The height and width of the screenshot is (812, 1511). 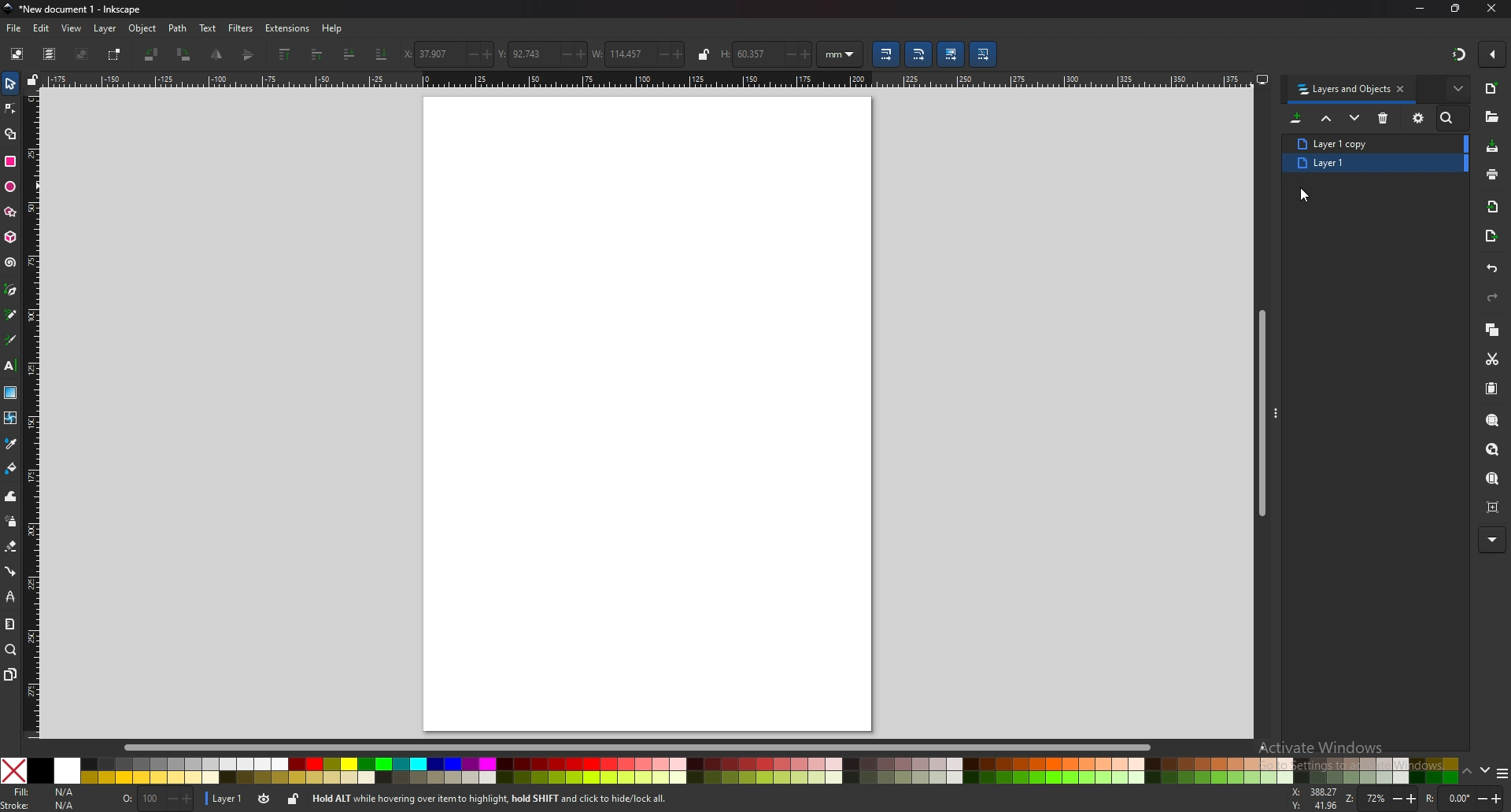 I want to click on raise to top, so click(x=286, y=54).